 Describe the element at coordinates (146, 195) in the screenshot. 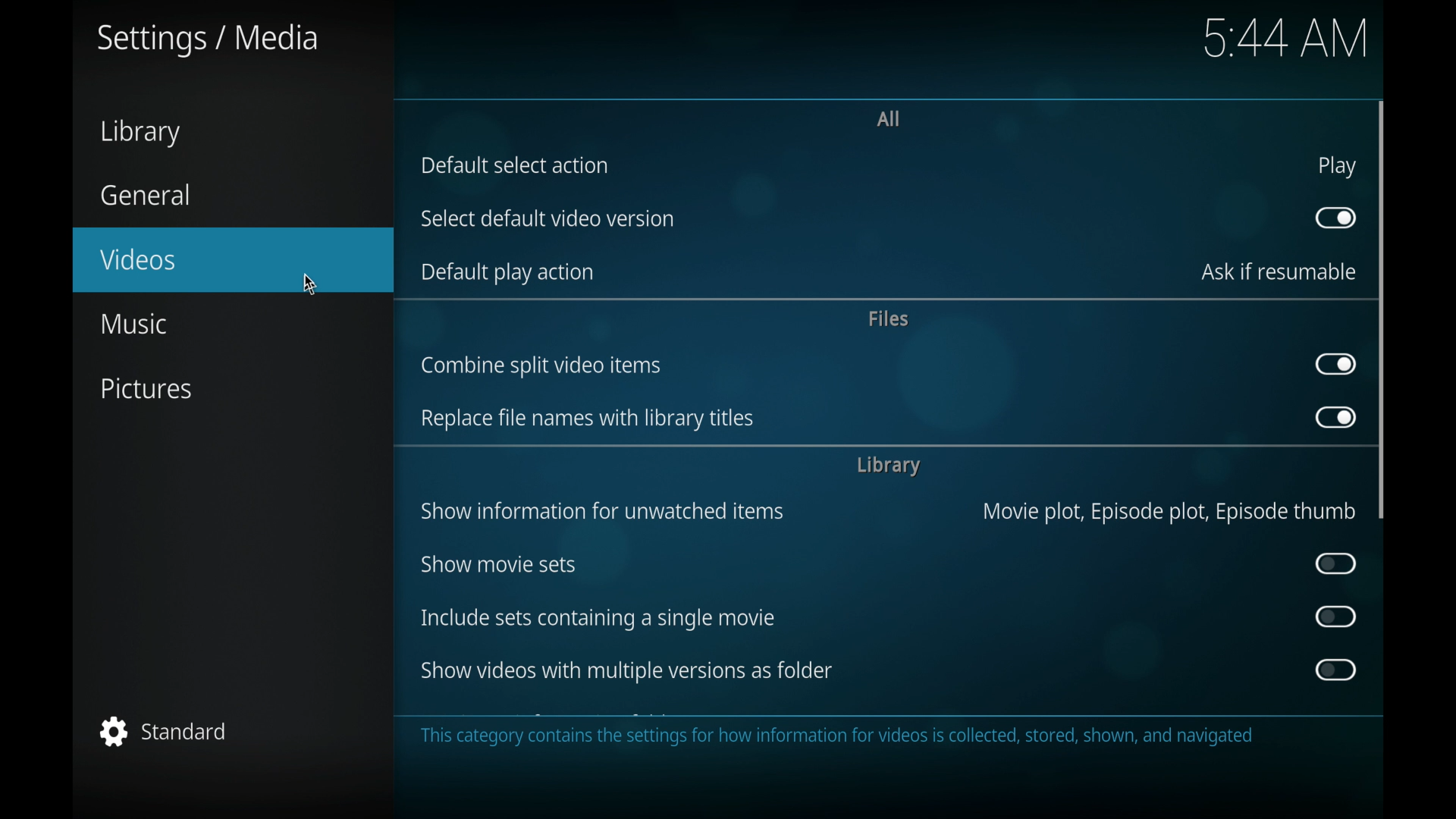

I see `general` at that location.